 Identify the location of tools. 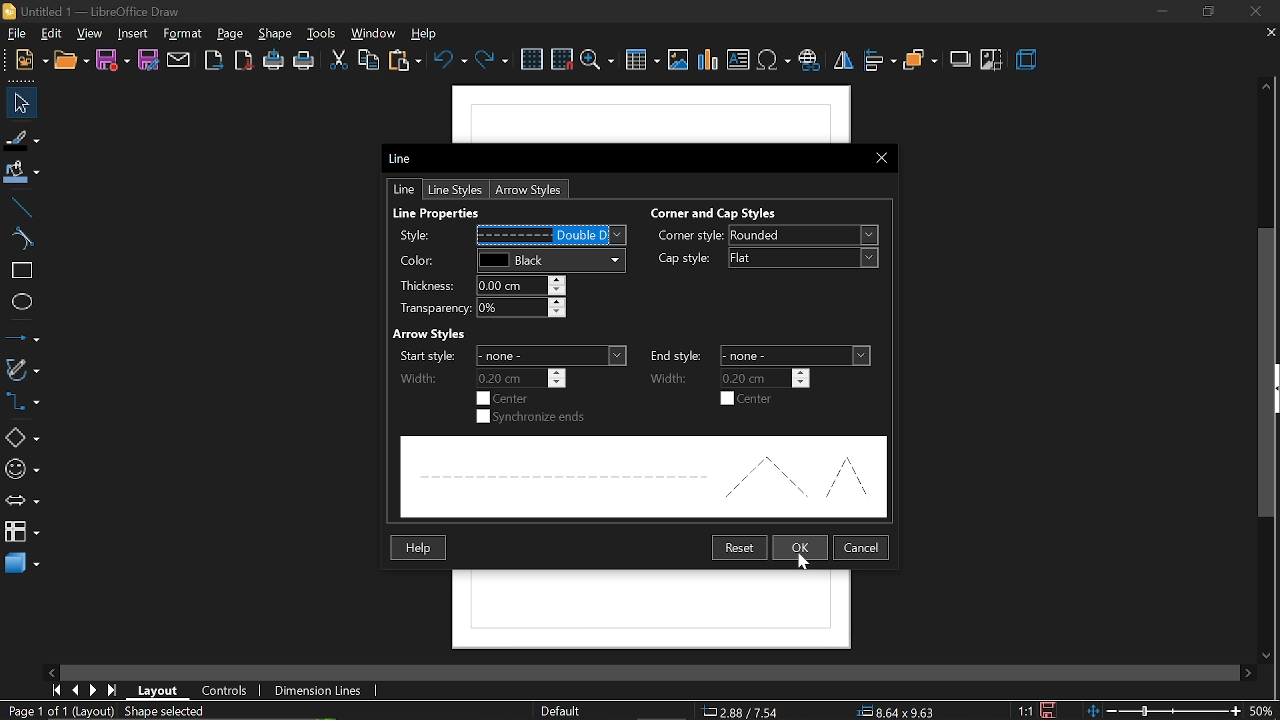
(322, 34).